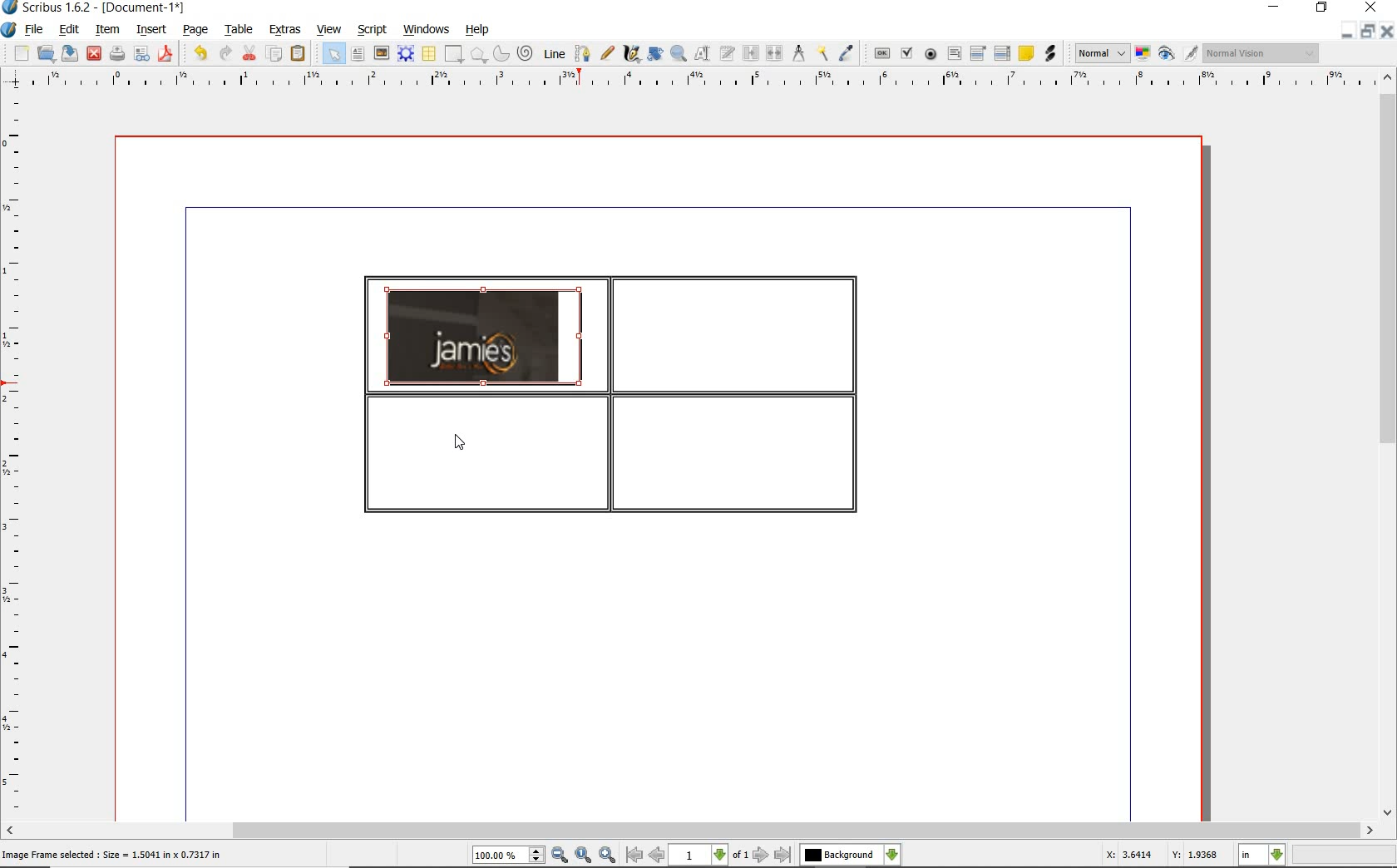  Describe the element at coordinates (298, 53) in the screenshot. I see `paste` at that location.